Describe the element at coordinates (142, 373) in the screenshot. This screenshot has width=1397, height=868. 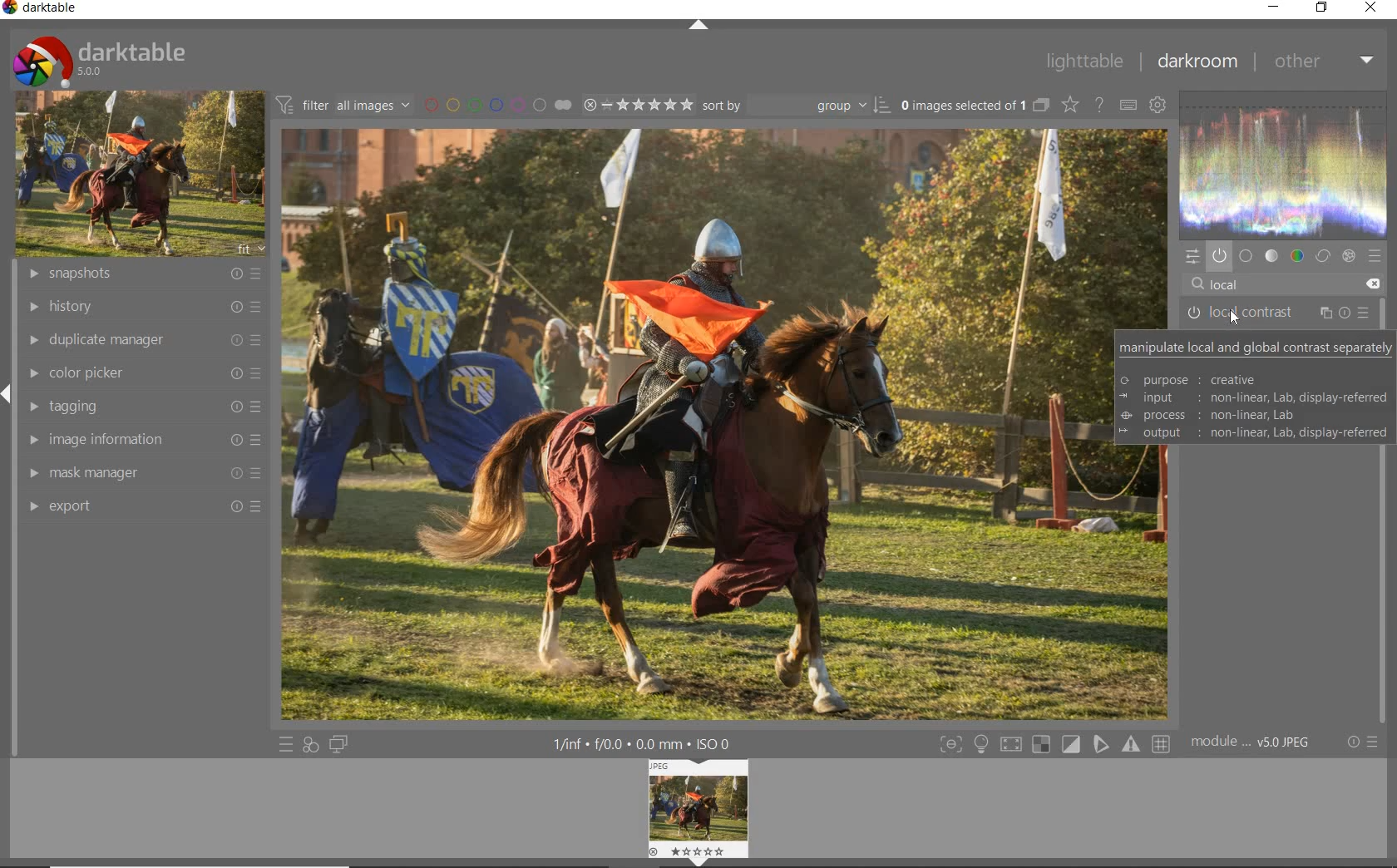
I see `color picker` at that location.